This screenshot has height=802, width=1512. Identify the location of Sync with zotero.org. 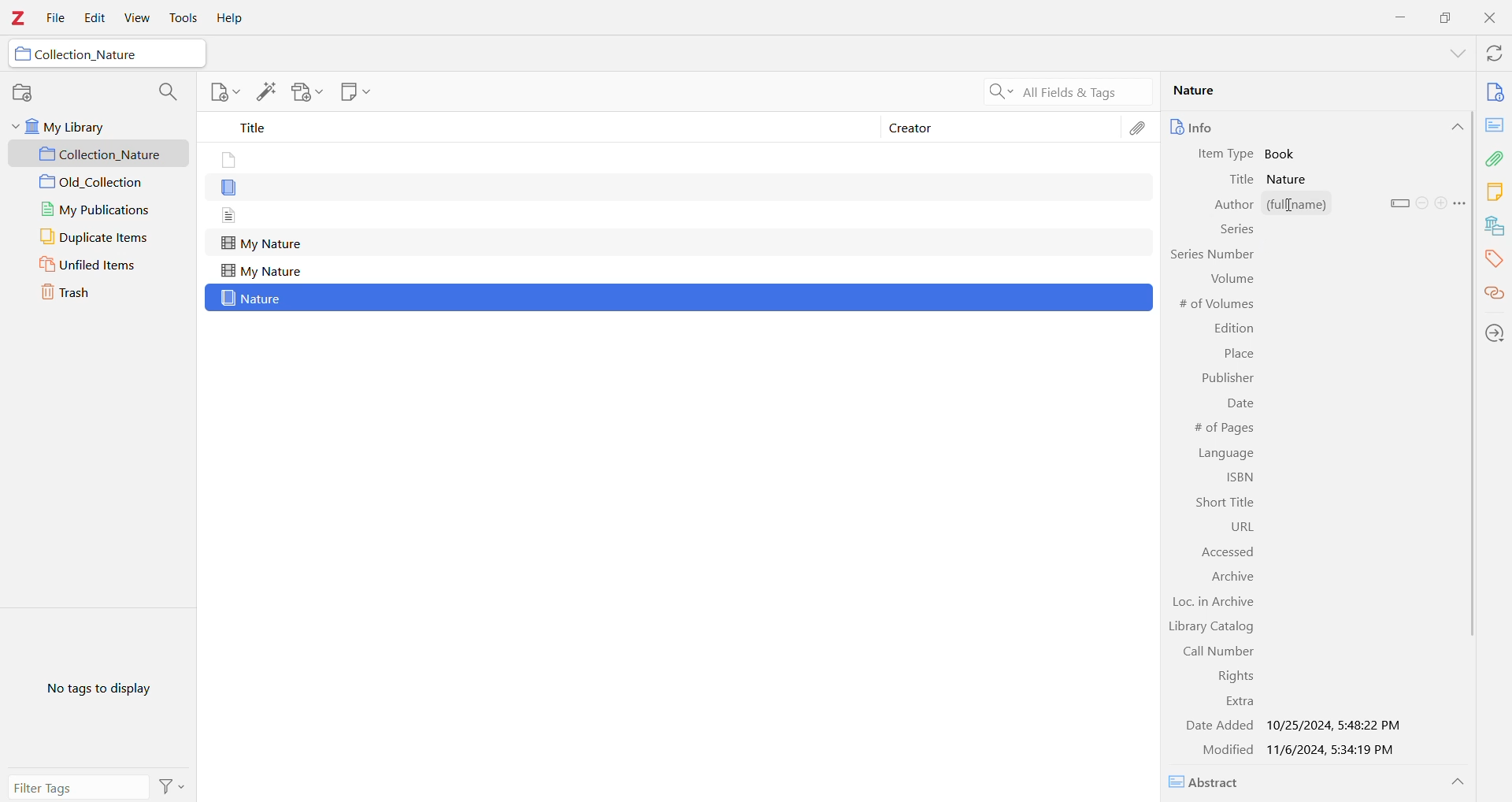
(1495, 54).